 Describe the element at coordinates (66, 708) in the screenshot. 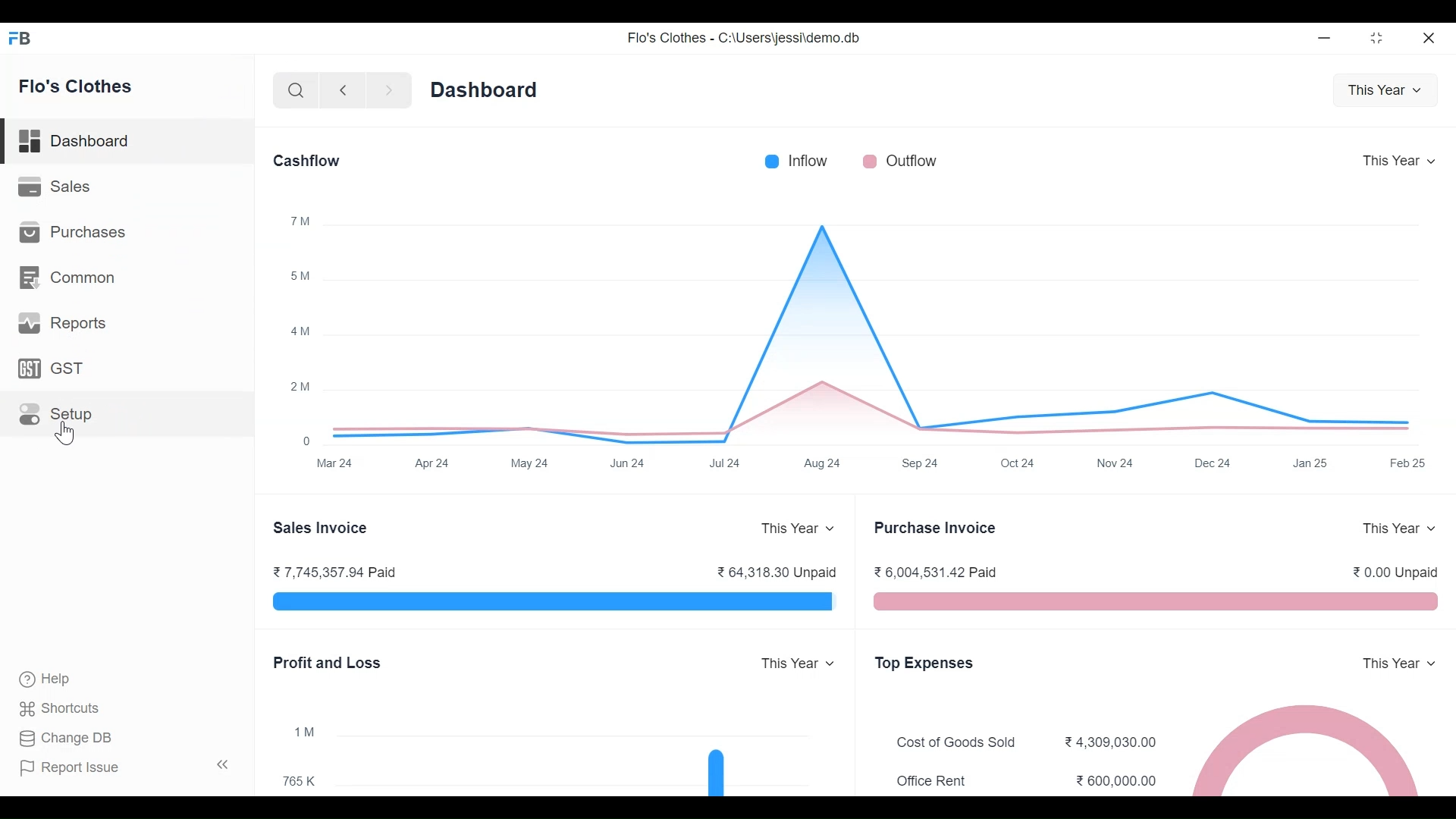

I see `Shortcuts` at that location.